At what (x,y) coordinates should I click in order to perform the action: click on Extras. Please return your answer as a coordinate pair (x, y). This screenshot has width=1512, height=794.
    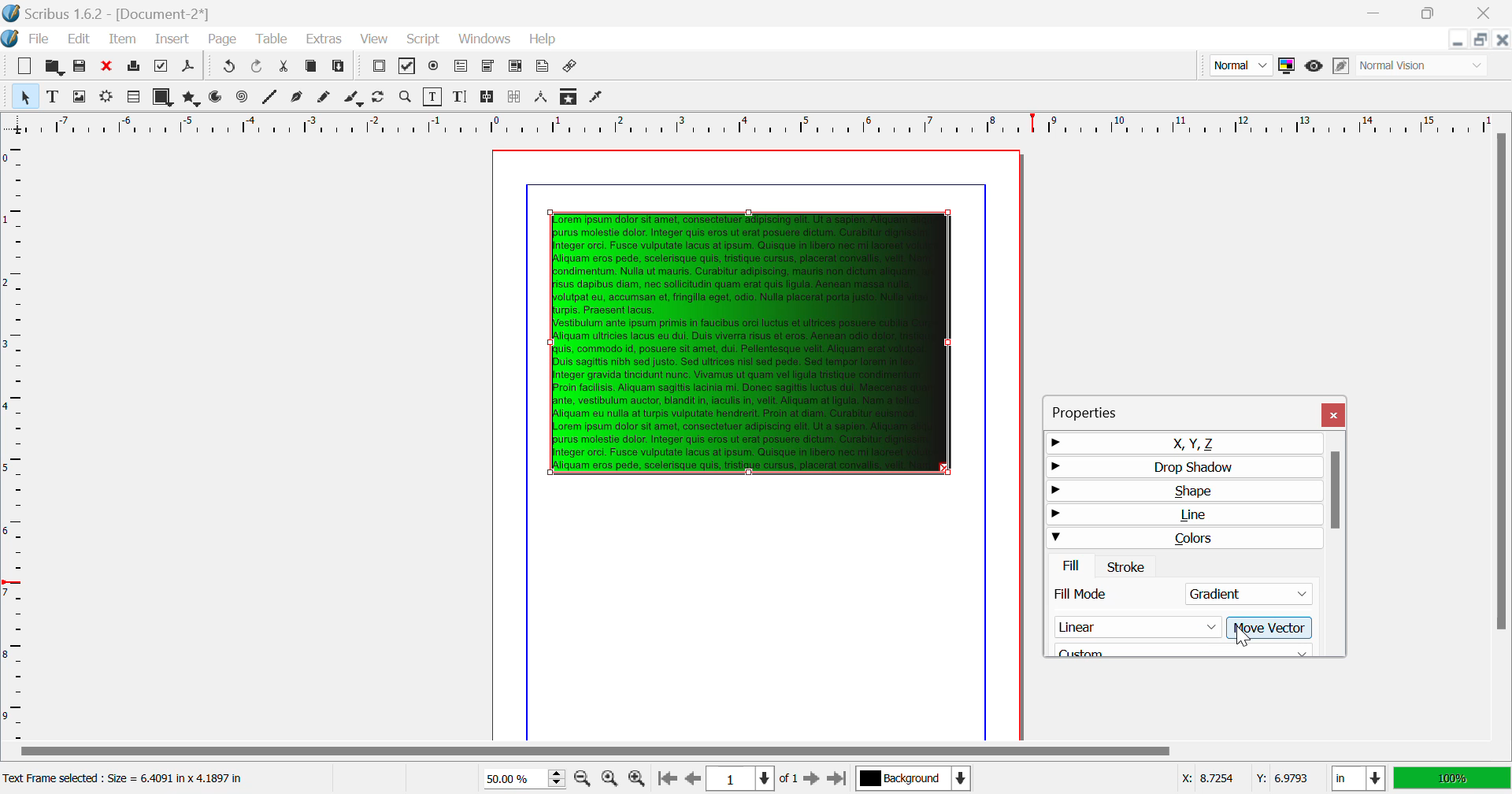
    Looking at the image, I should click on (322, 39).